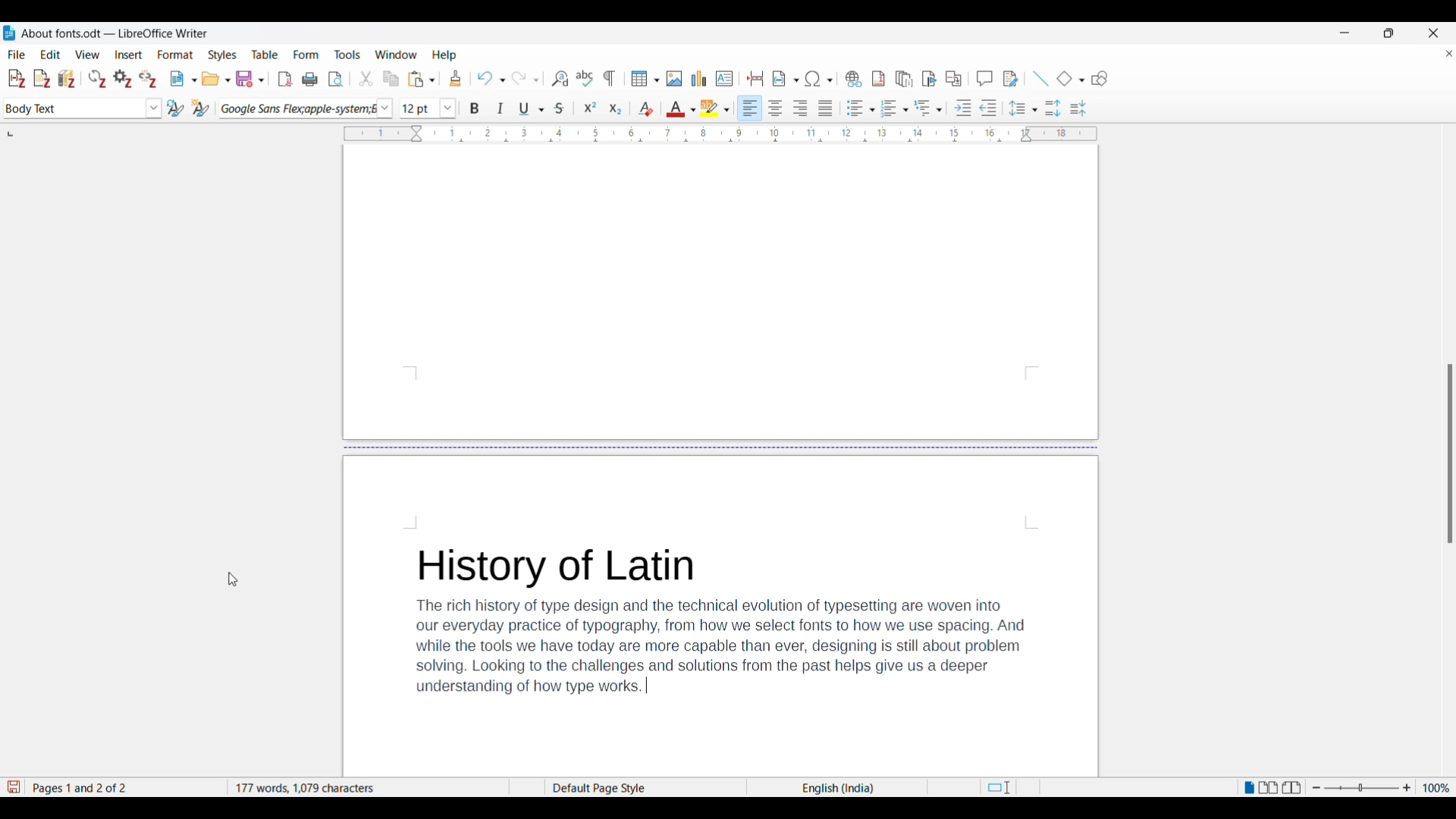  What do you see at coordinates (201, 108) in the screenshot?
I see `New style from selection` at bounding box center [201, 108].